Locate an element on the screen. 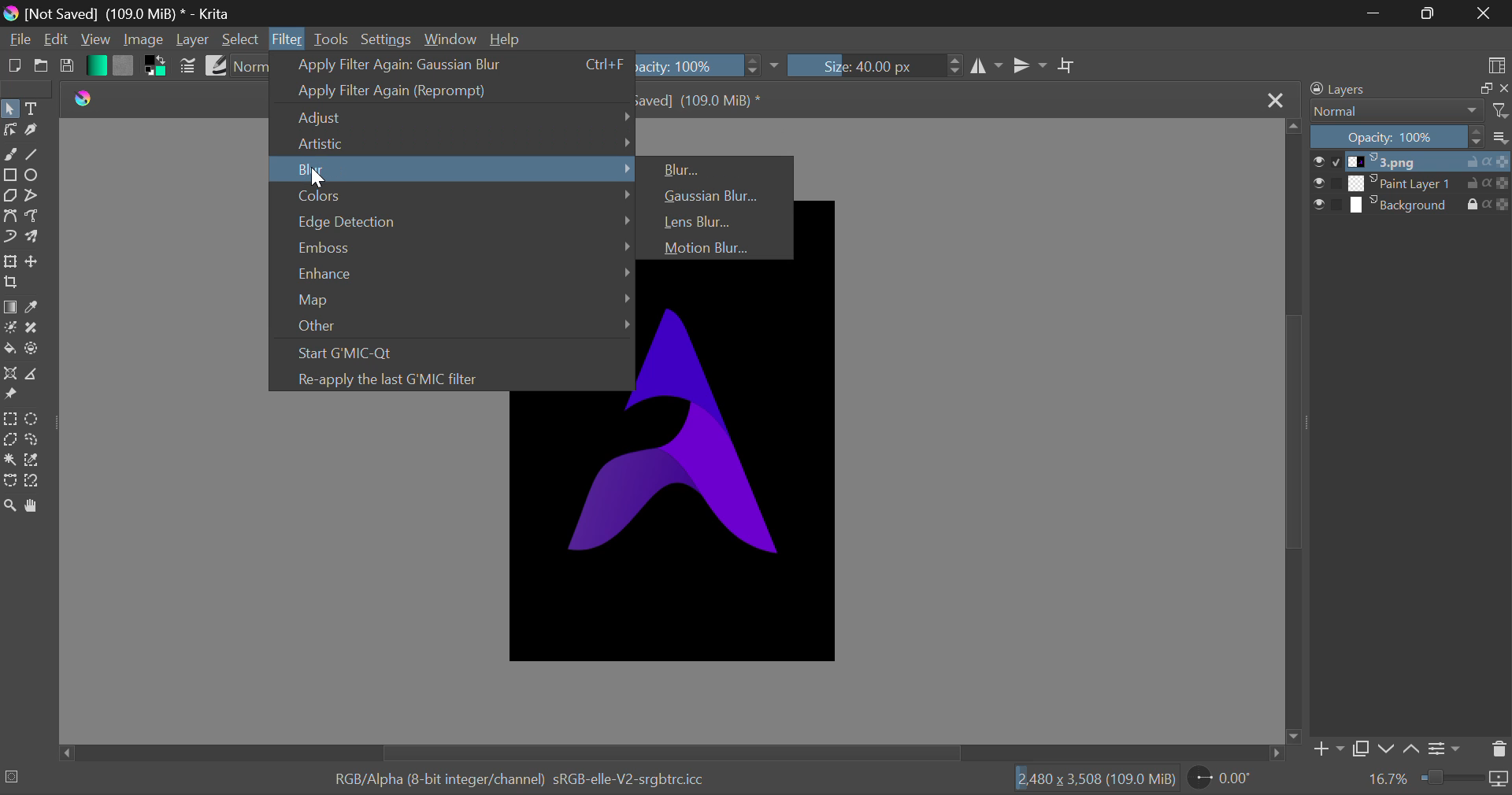 The height and width of the screenshot is (795, 1512). Adjust is located at coordinates (453, 117).